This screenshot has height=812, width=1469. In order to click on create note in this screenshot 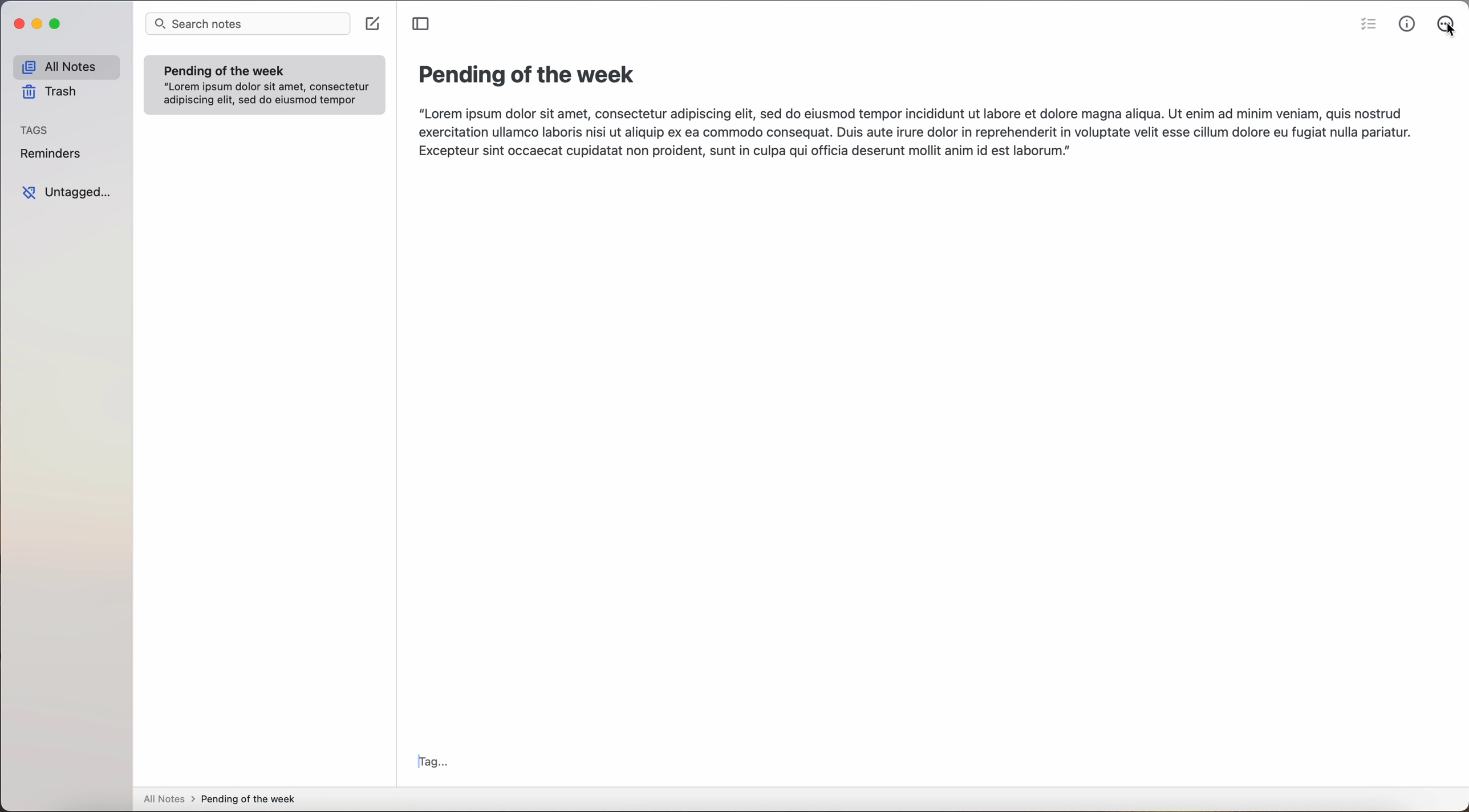, I will do `click(374, 24)`.